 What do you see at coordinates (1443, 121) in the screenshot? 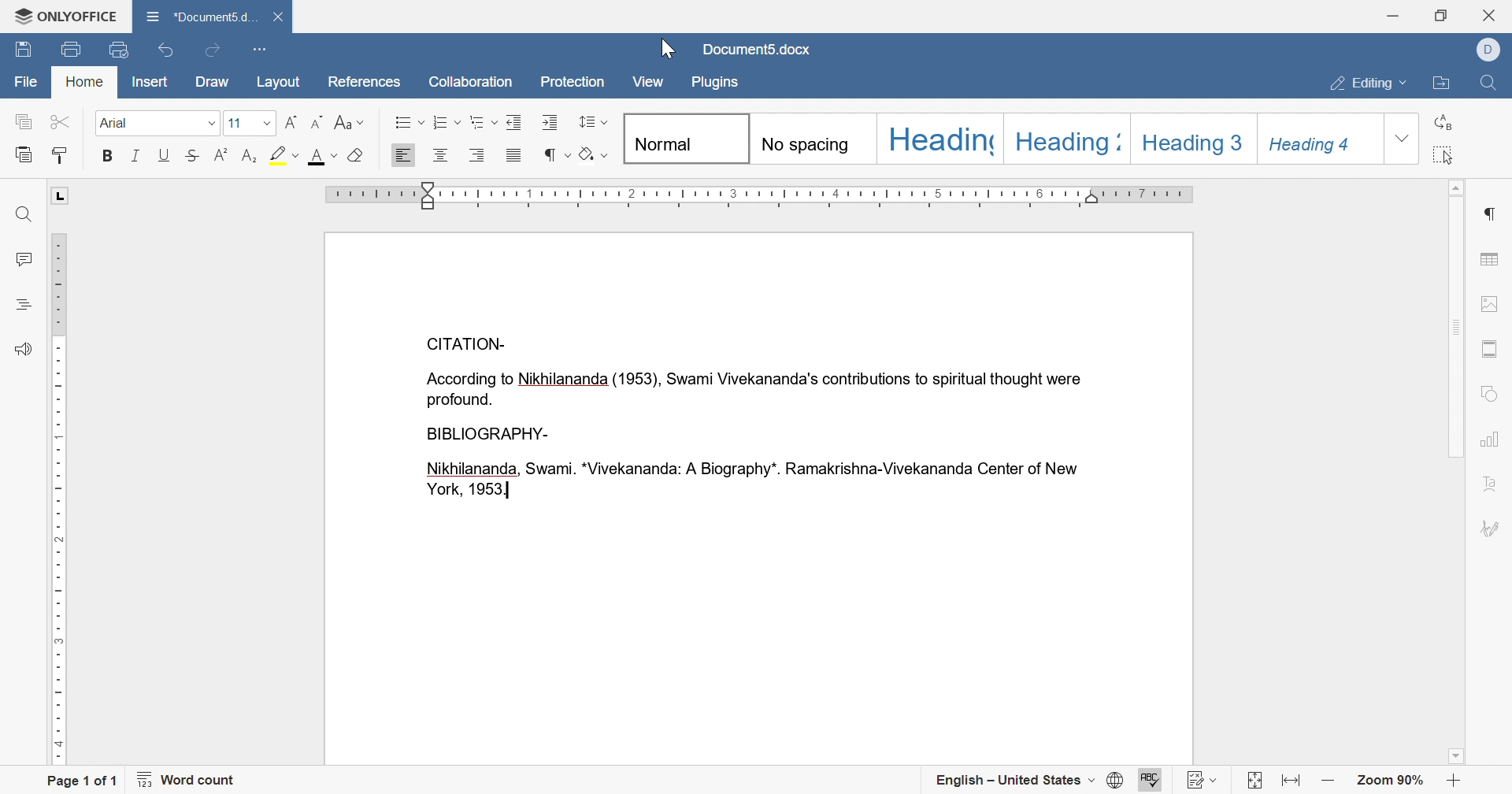
I see `replace all` at bounding box center [1443, 121].